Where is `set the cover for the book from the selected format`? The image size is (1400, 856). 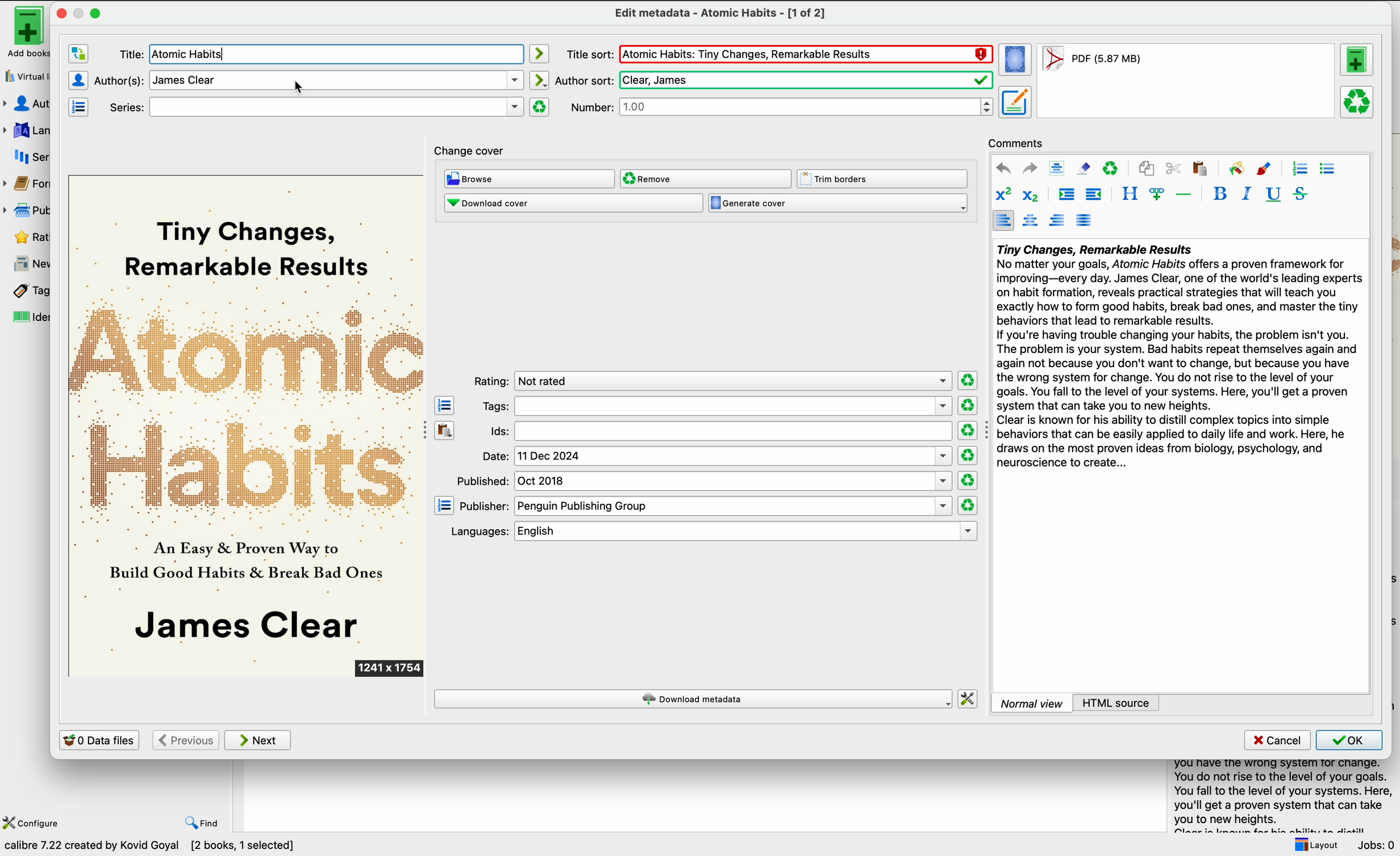
set the cover for the book from the selected format is located at coordinates (1016, 61).